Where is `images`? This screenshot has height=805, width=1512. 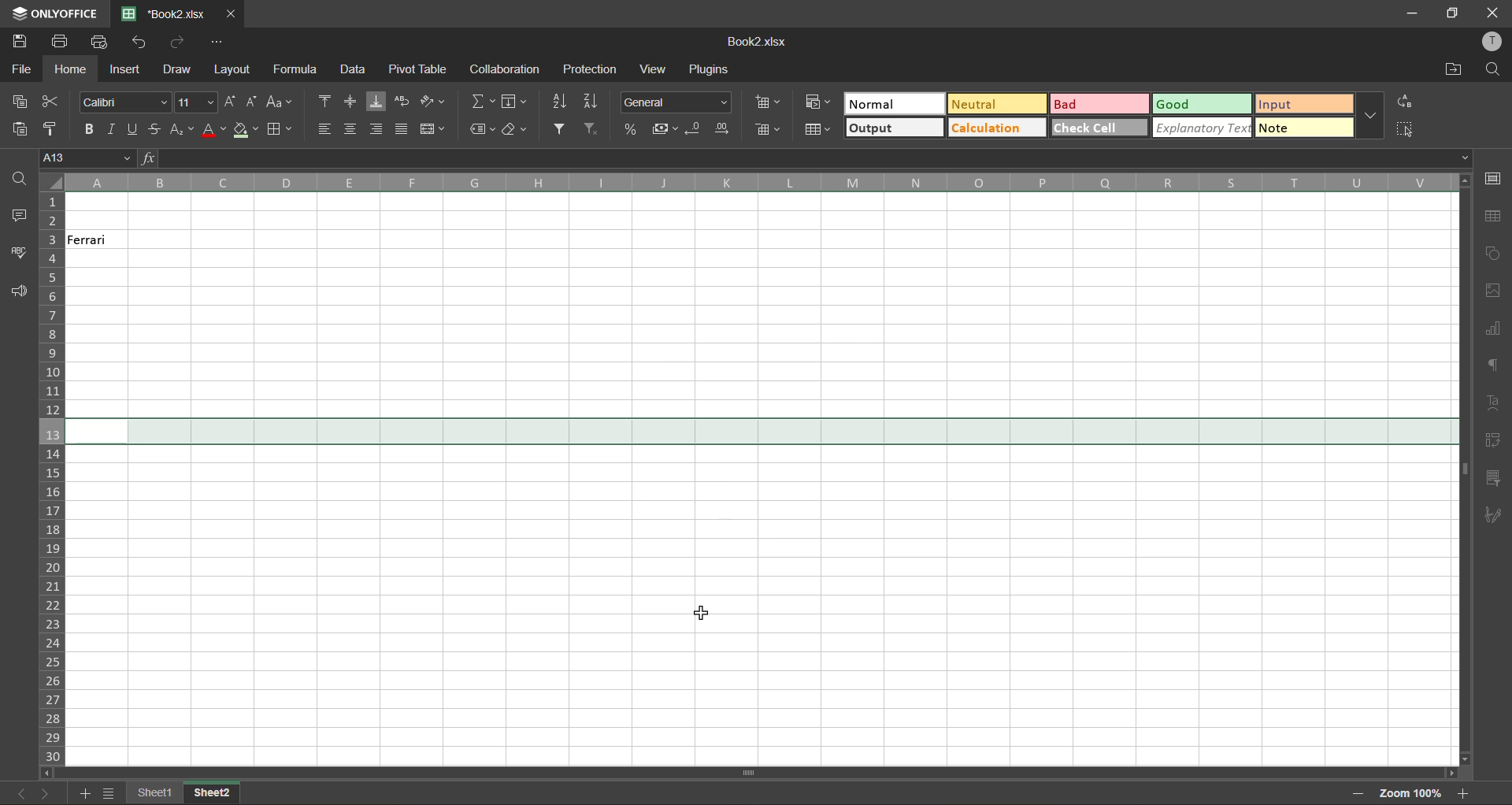 images is located at coordinates (1495, 295).